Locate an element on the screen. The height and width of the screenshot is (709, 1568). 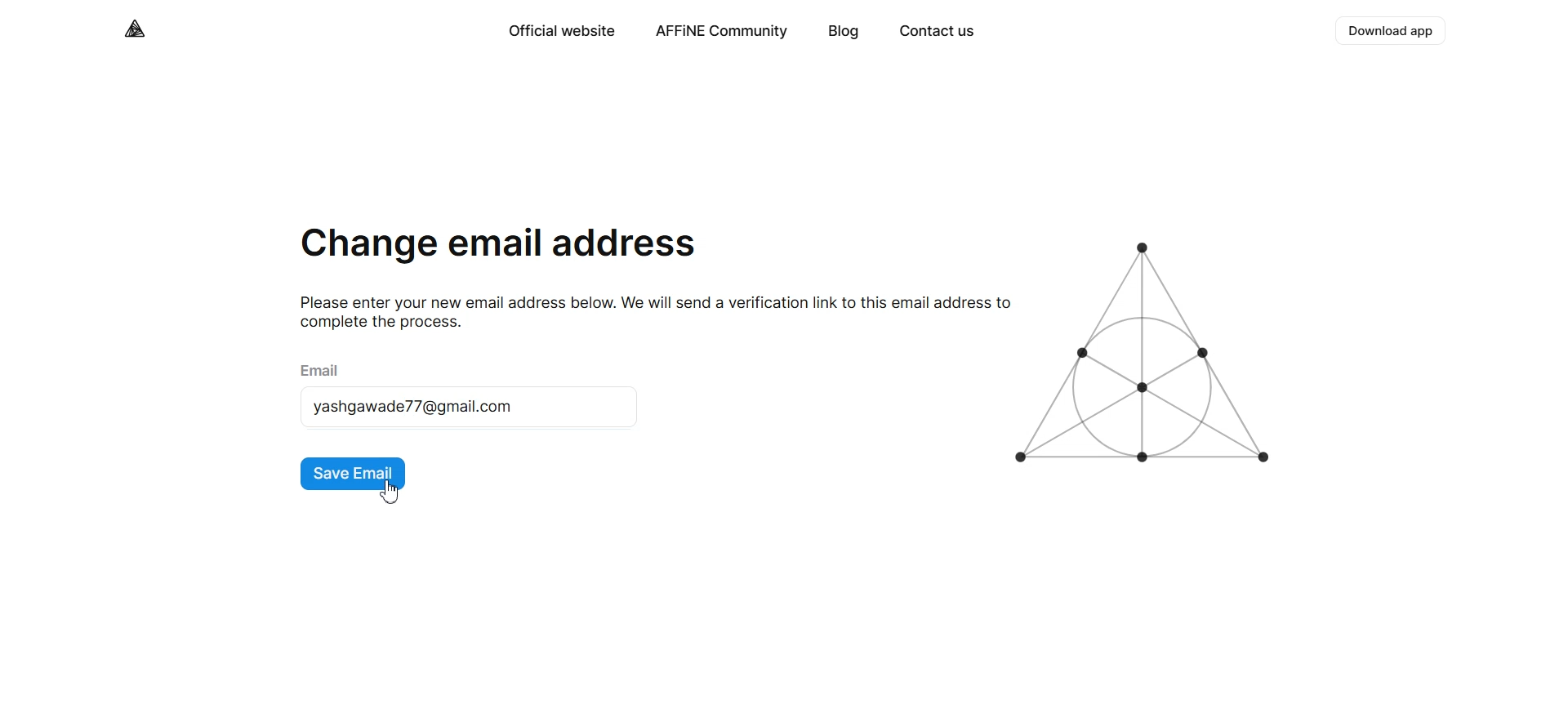
change email address is located at coordinates (499, 247).